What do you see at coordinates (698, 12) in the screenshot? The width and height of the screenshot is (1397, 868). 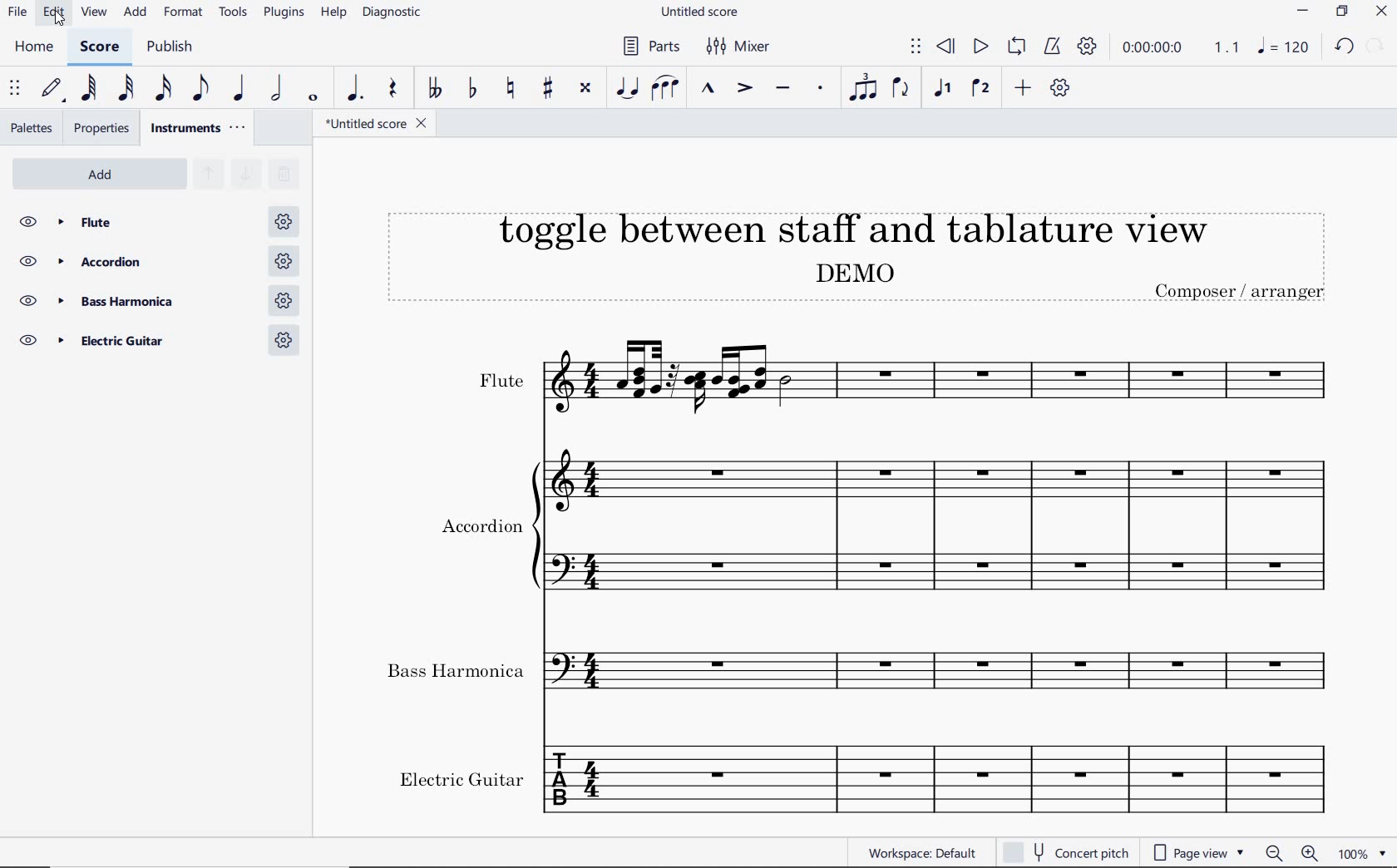 I see `file name` at bounding box center [698, 12].